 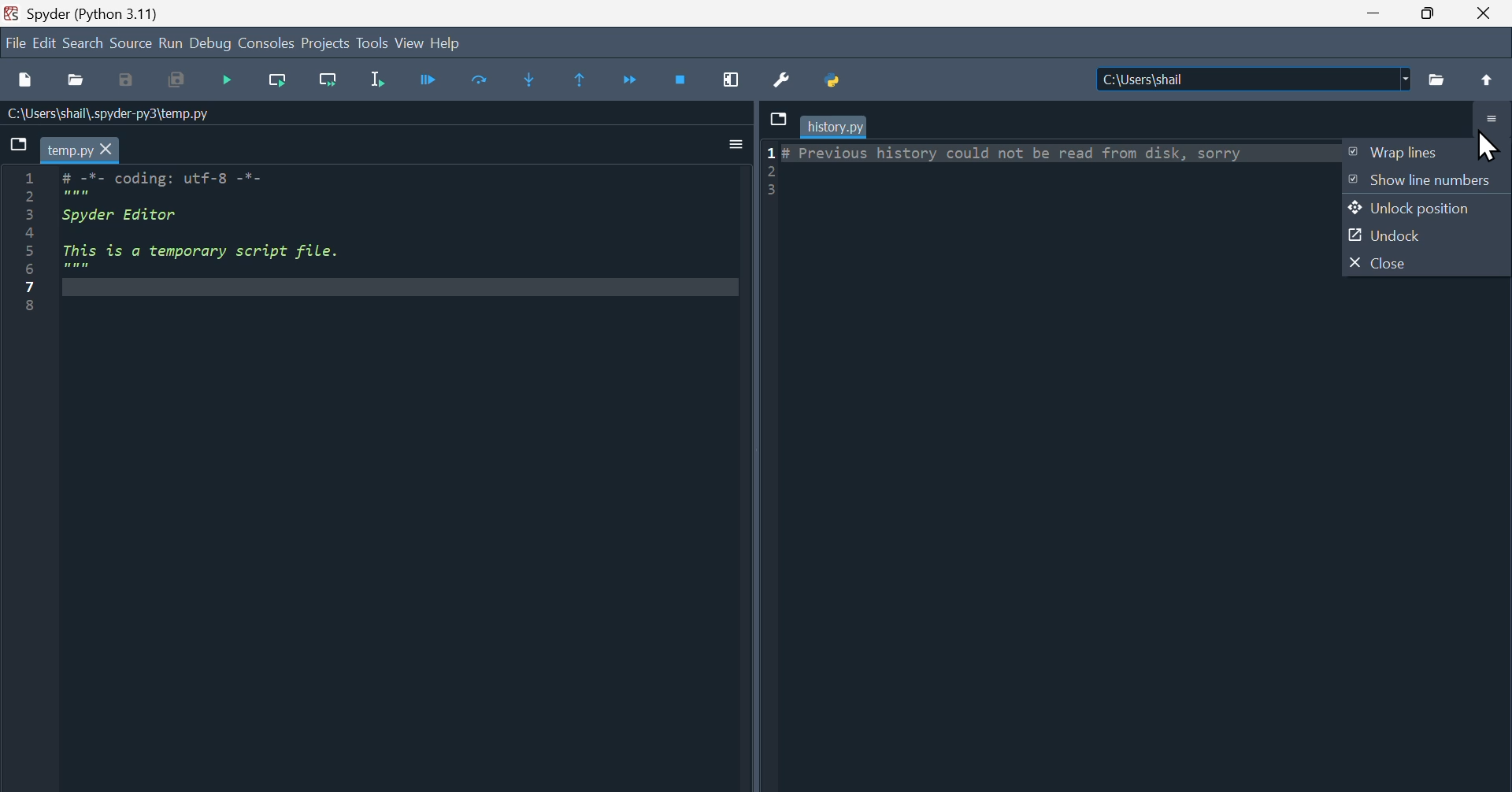 I want to click on Continue execution until next function, so click(x=636, y=81).